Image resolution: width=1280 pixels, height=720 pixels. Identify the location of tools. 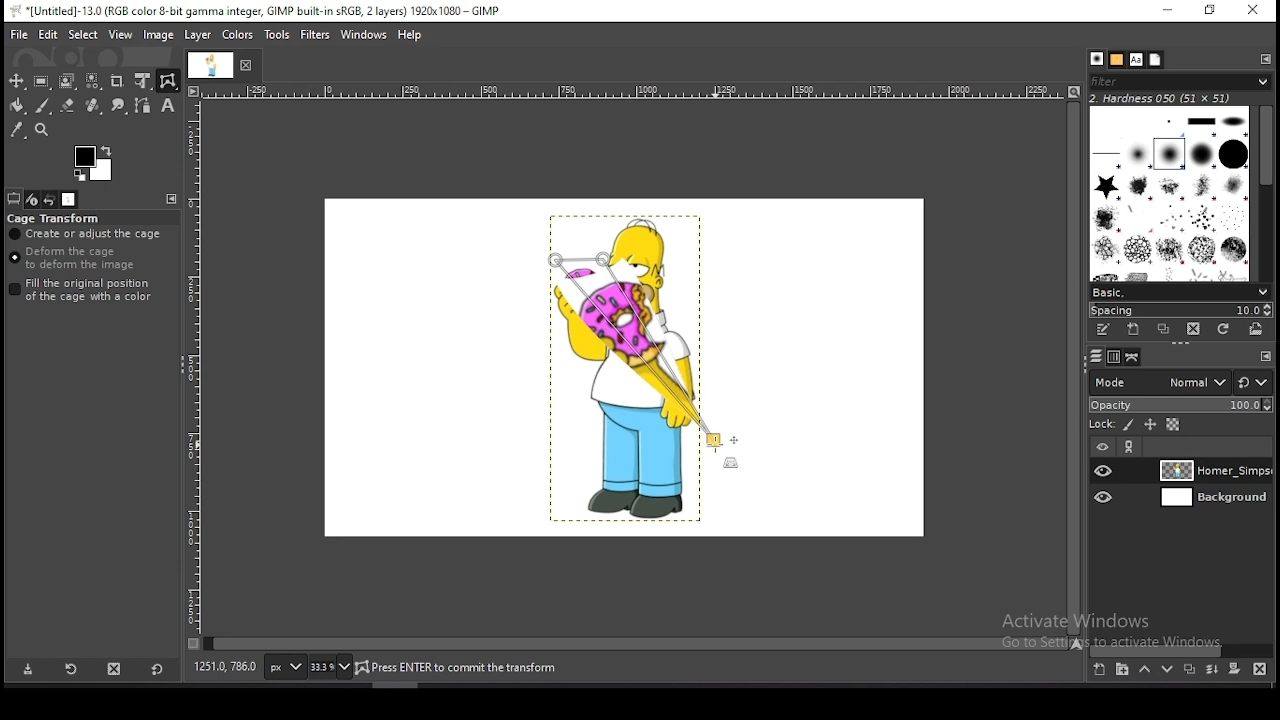
(278, 35).